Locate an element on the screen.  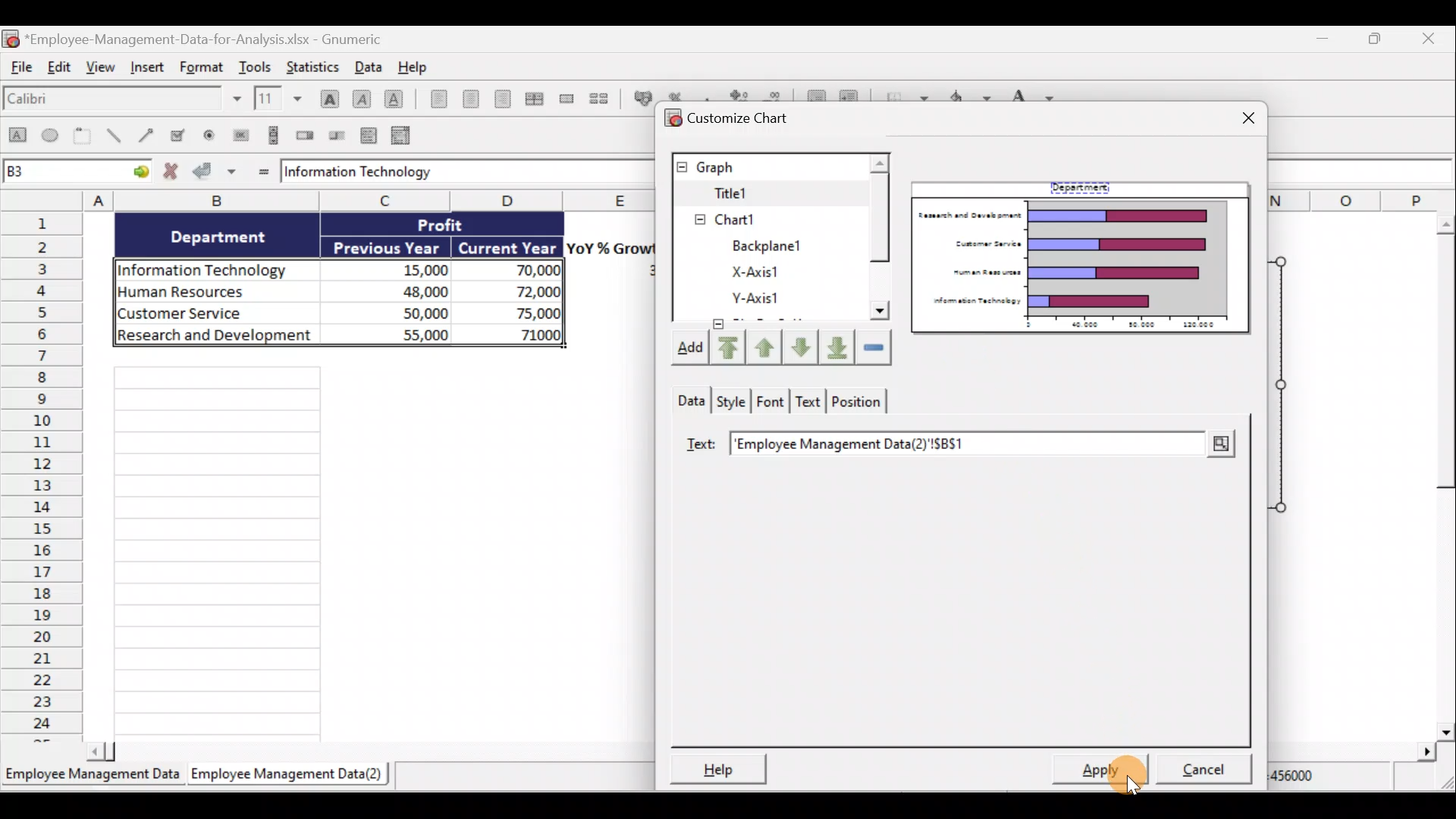
PlotBarCol1 is located at coordinates (768, 300).